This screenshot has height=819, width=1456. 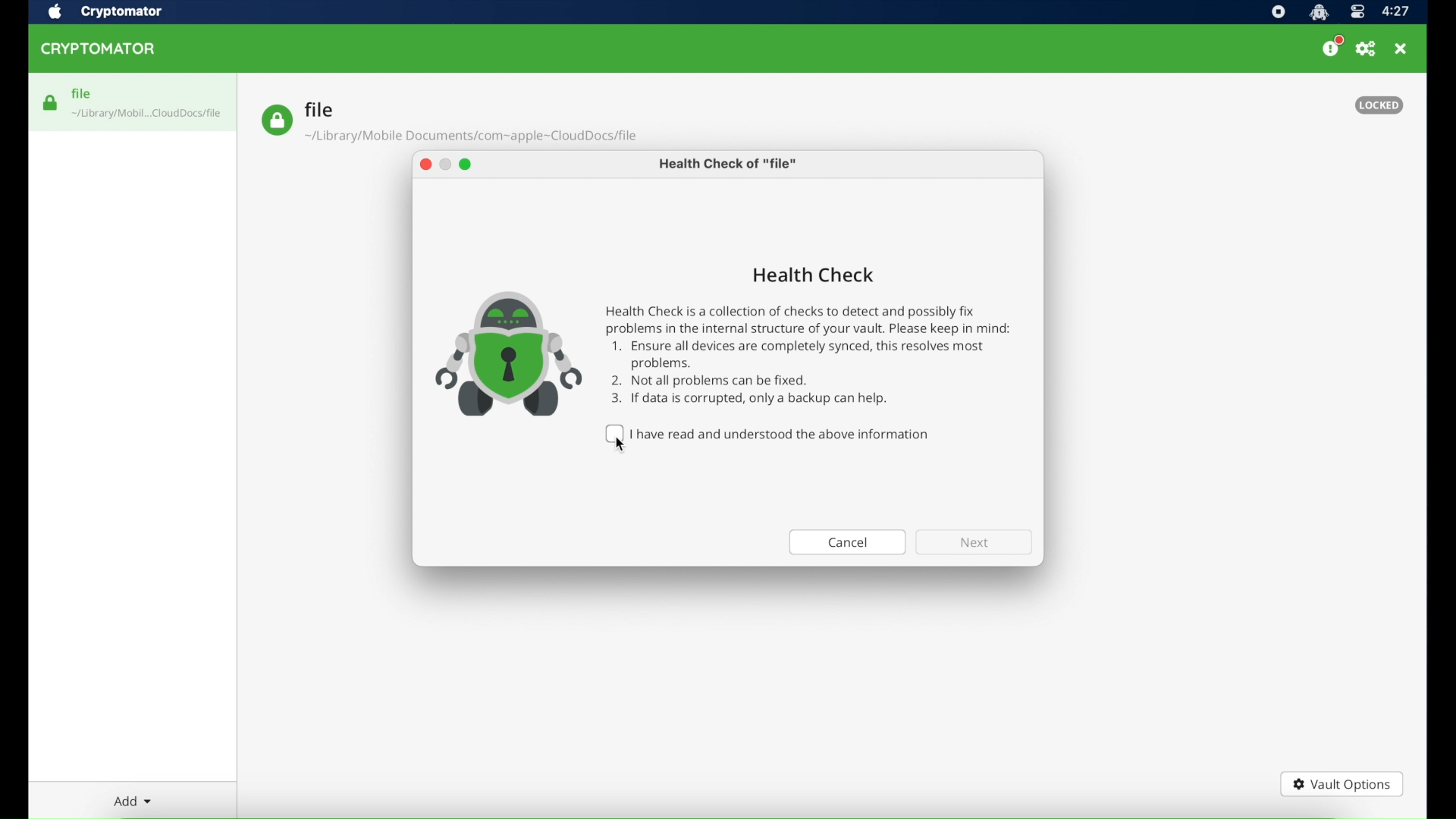 What do you see at coordinates (1278, 12) in the screenshot?
I see `screen recorder icon` at bounding box center [1278, 12].